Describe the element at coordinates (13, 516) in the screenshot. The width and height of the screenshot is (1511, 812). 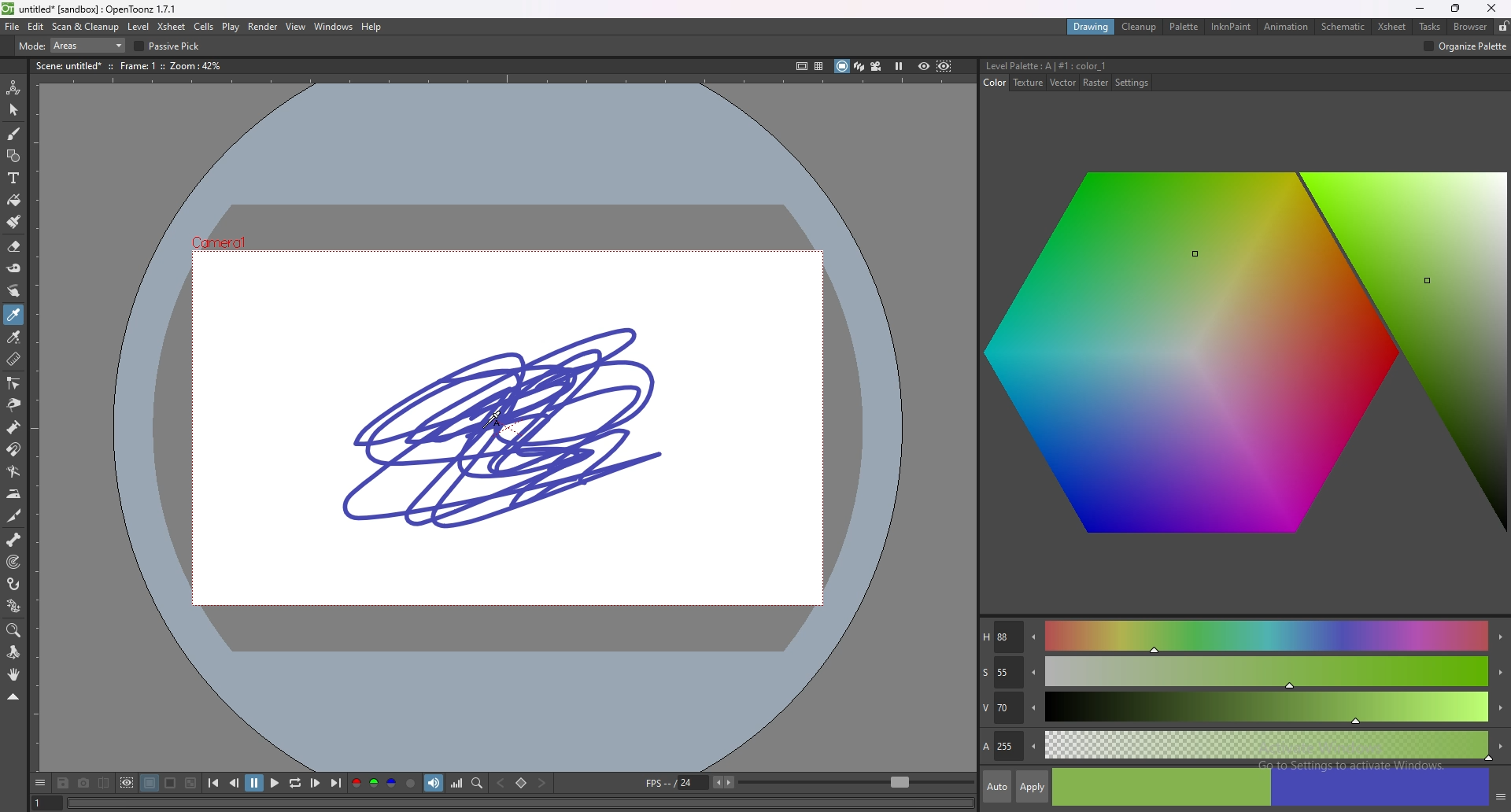
I see `cutter tool` at that location.